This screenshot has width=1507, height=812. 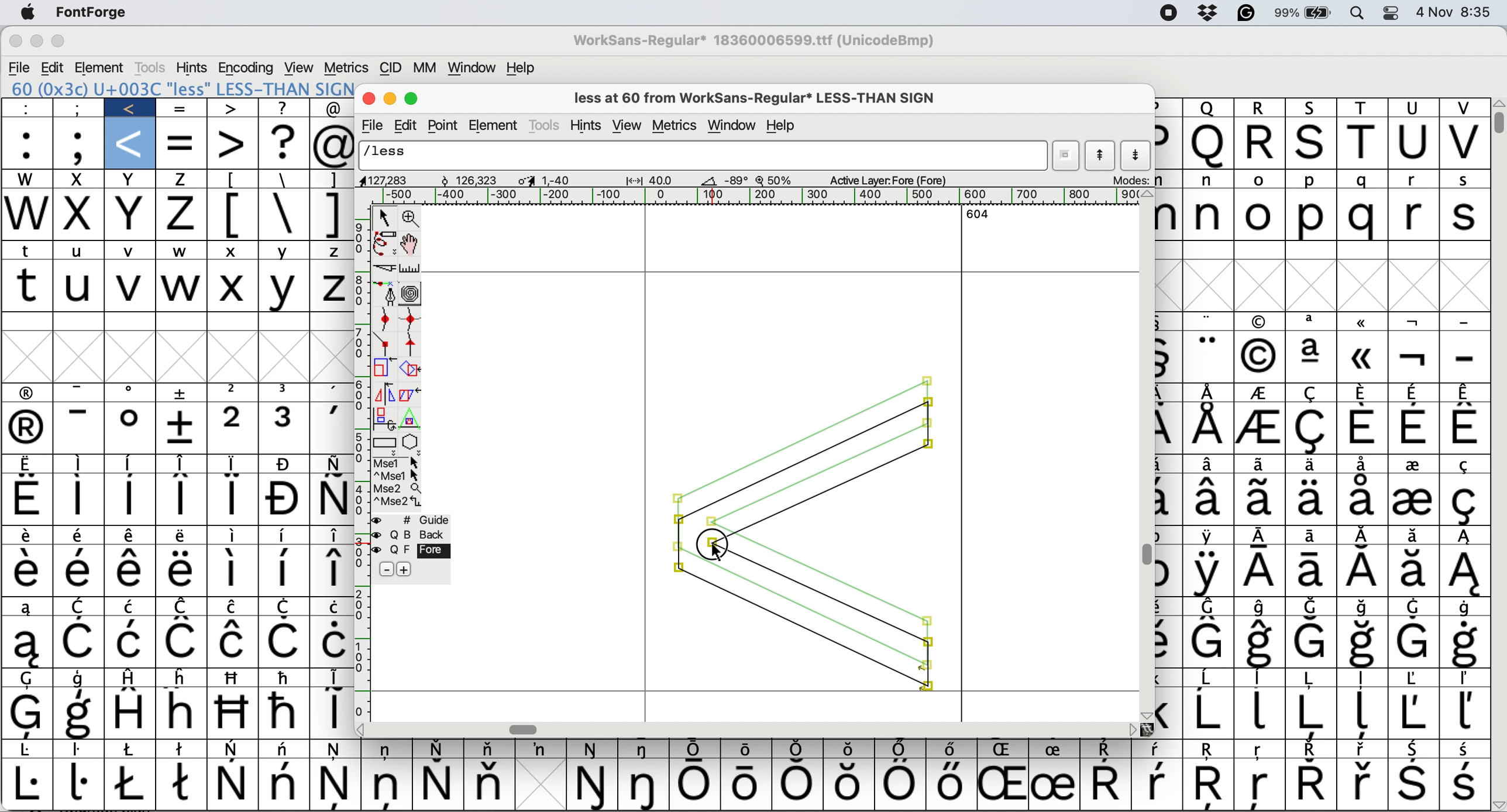 What do you see at coordinates (1264, 537) in the screenshot?
I see `Symbol` at bounding box center [1264, 537].